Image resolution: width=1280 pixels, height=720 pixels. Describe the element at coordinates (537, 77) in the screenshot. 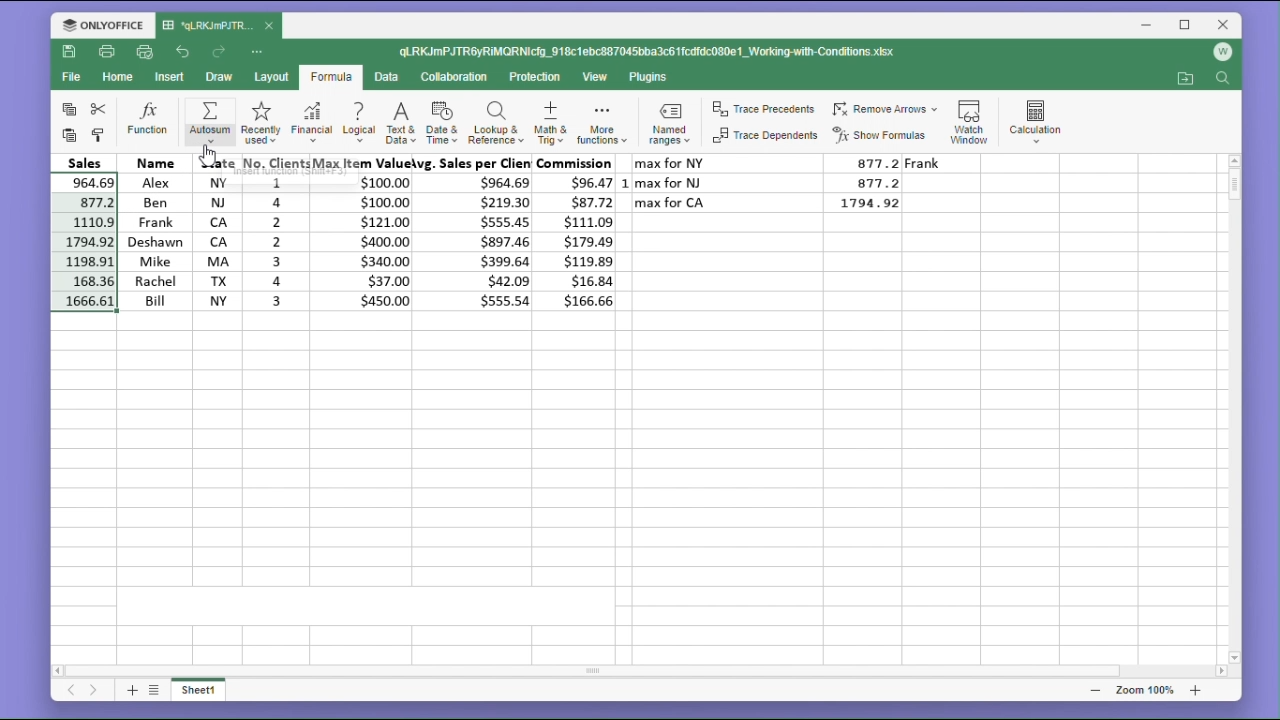

I see `protection` at that location.